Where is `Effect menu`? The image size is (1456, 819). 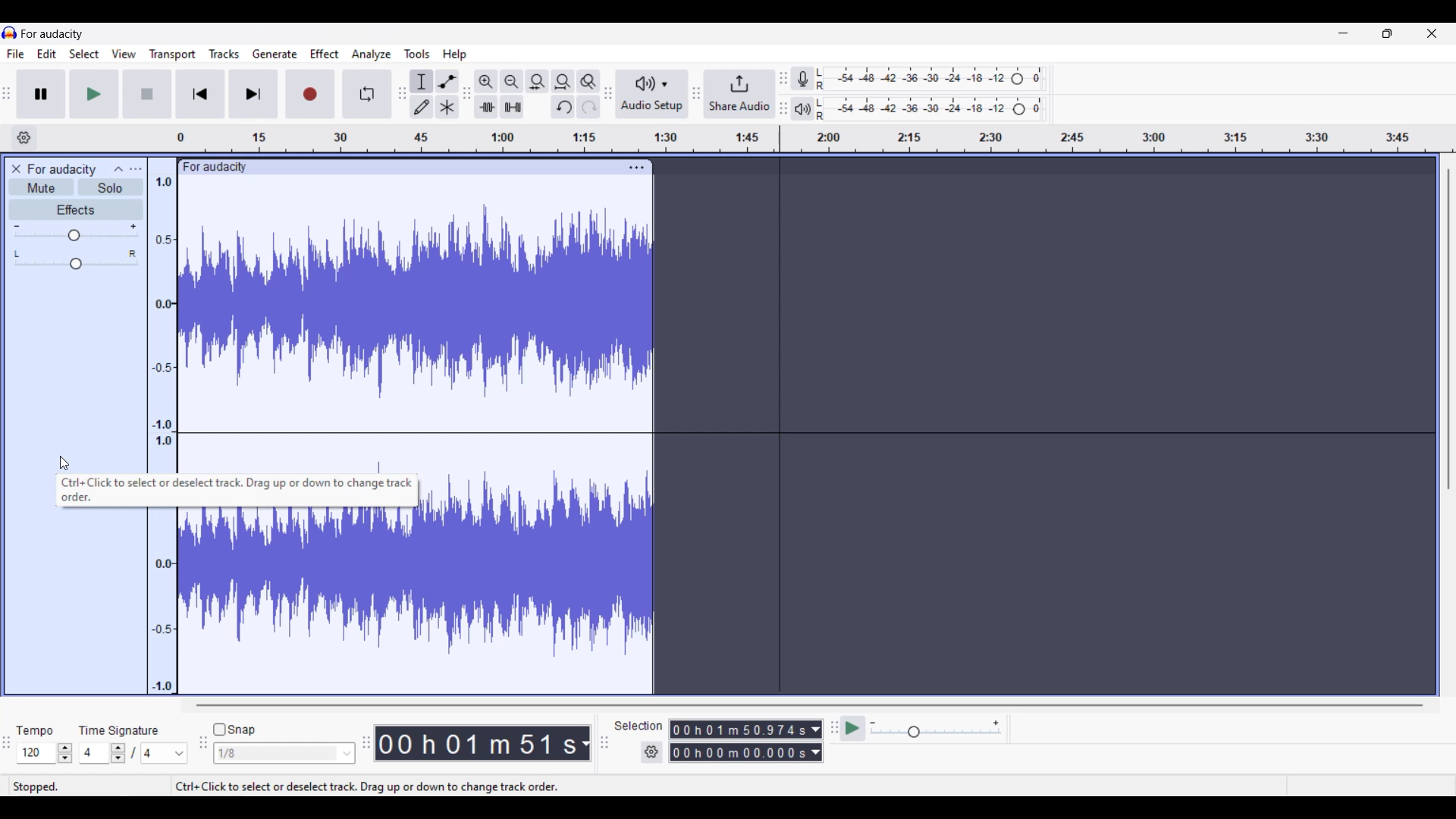 Effect menu is located at coordinates (325, 53).